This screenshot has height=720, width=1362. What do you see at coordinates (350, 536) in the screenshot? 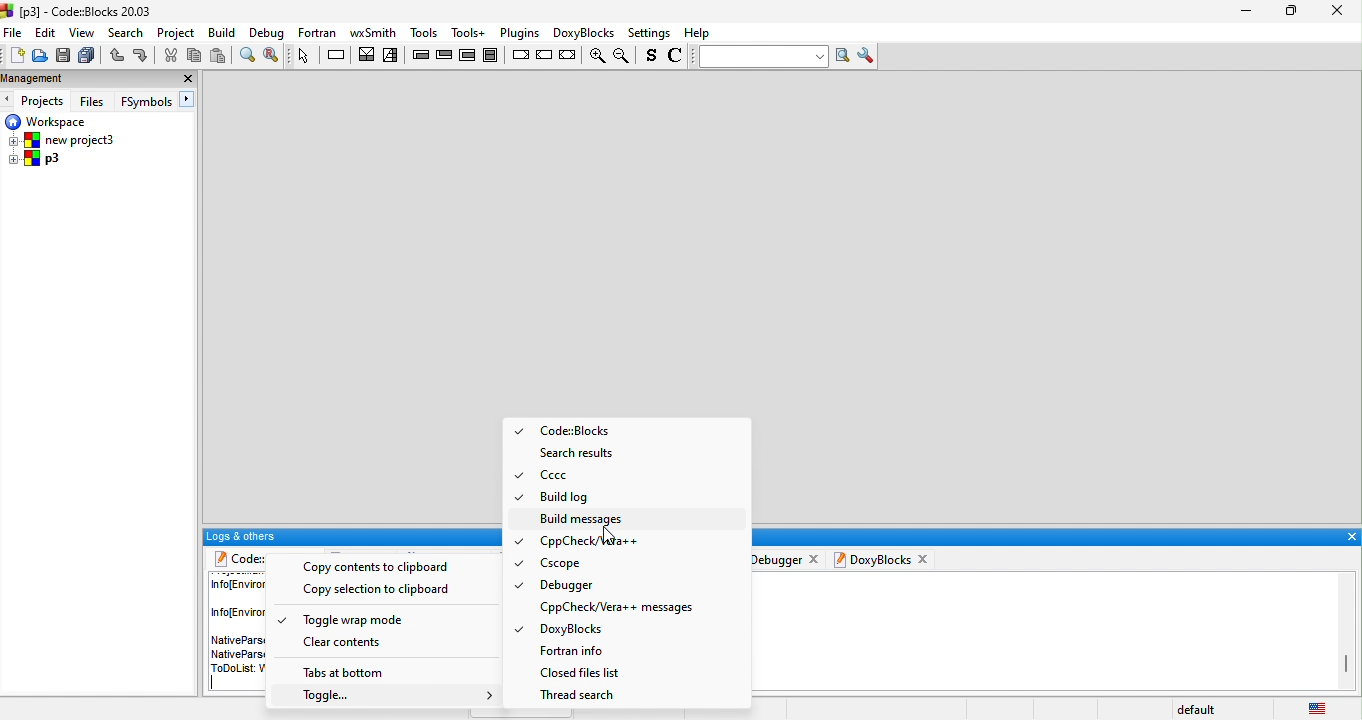
I see `logs and others` at bounding box center [350, 536].